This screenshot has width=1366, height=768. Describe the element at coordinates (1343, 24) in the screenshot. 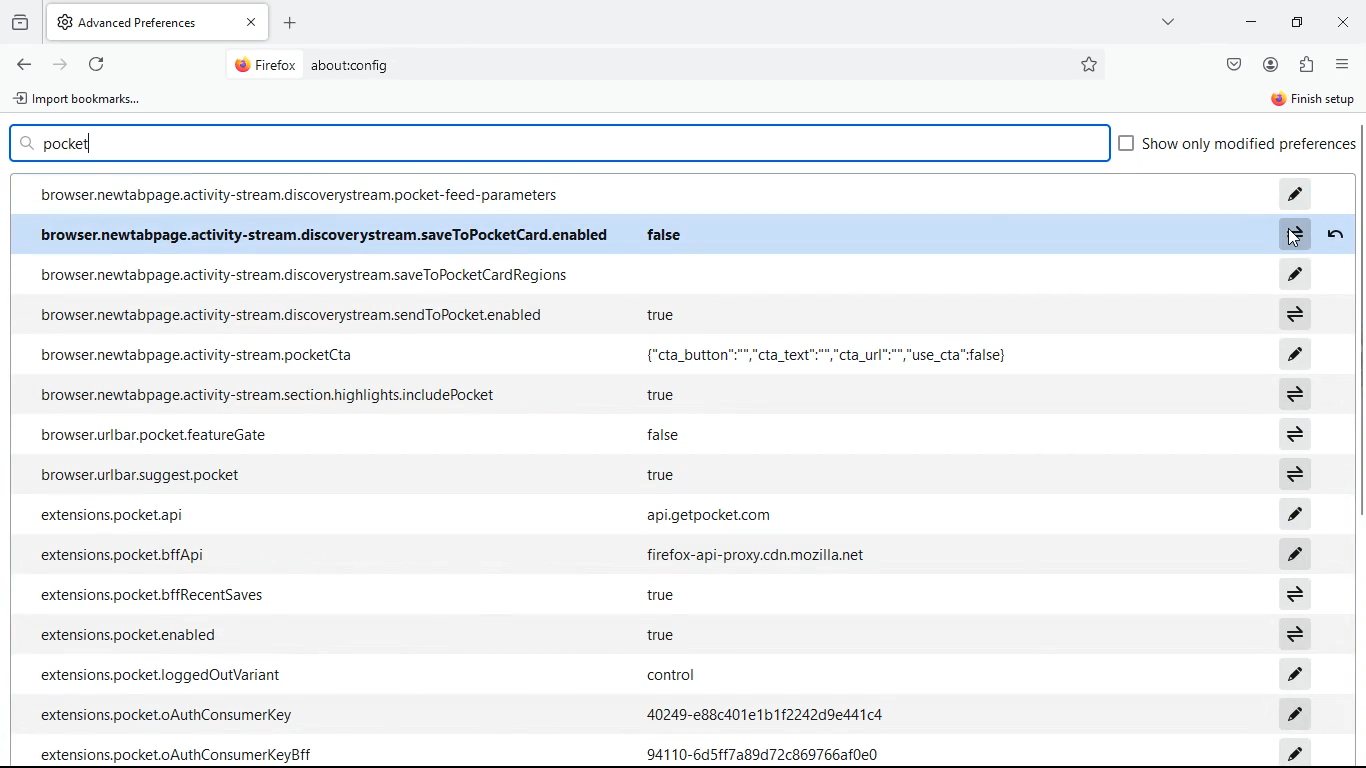

I see `close` at that location.